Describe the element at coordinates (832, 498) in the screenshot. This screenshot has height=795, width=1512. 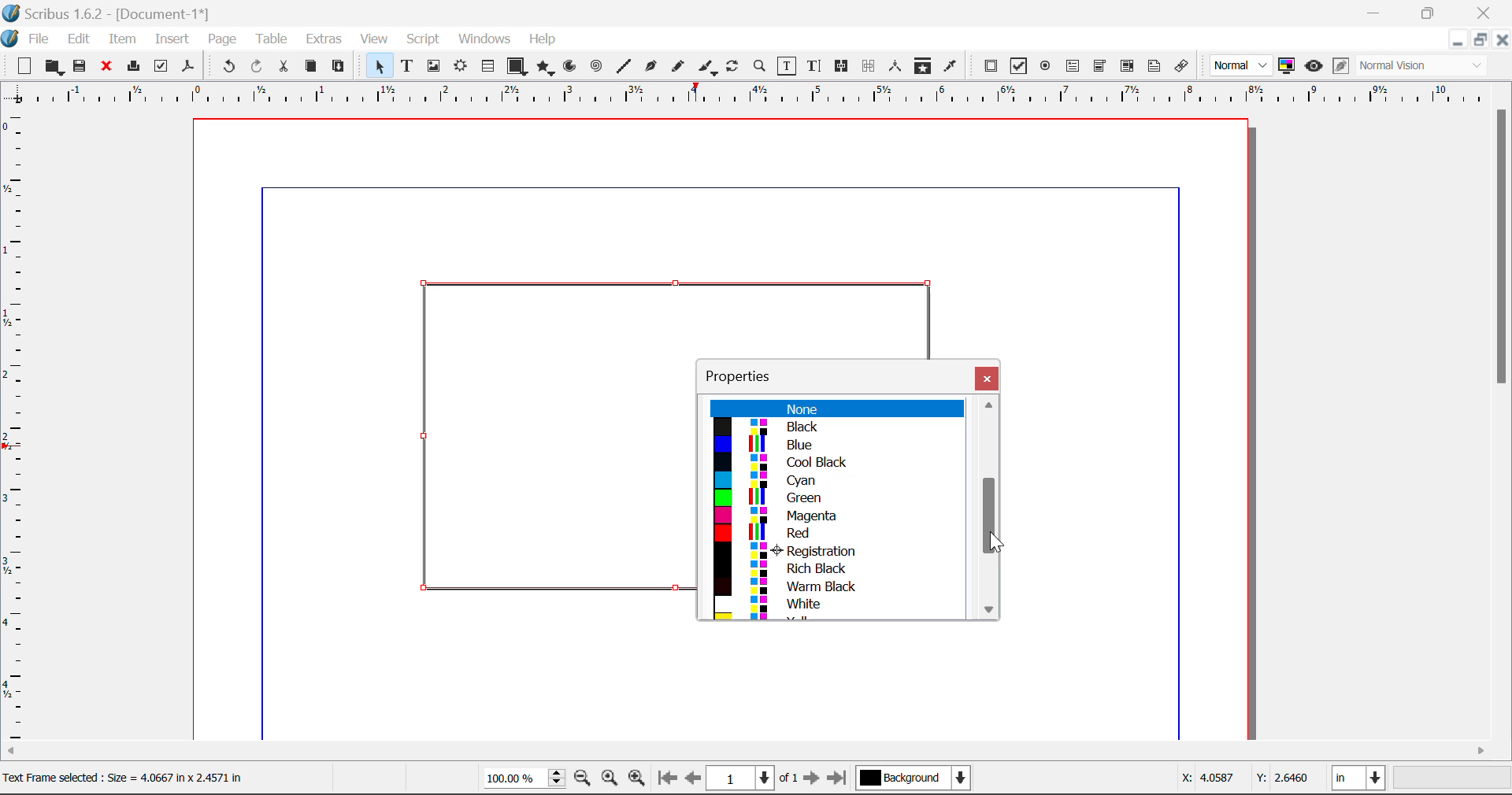
I see `Green` at that location.